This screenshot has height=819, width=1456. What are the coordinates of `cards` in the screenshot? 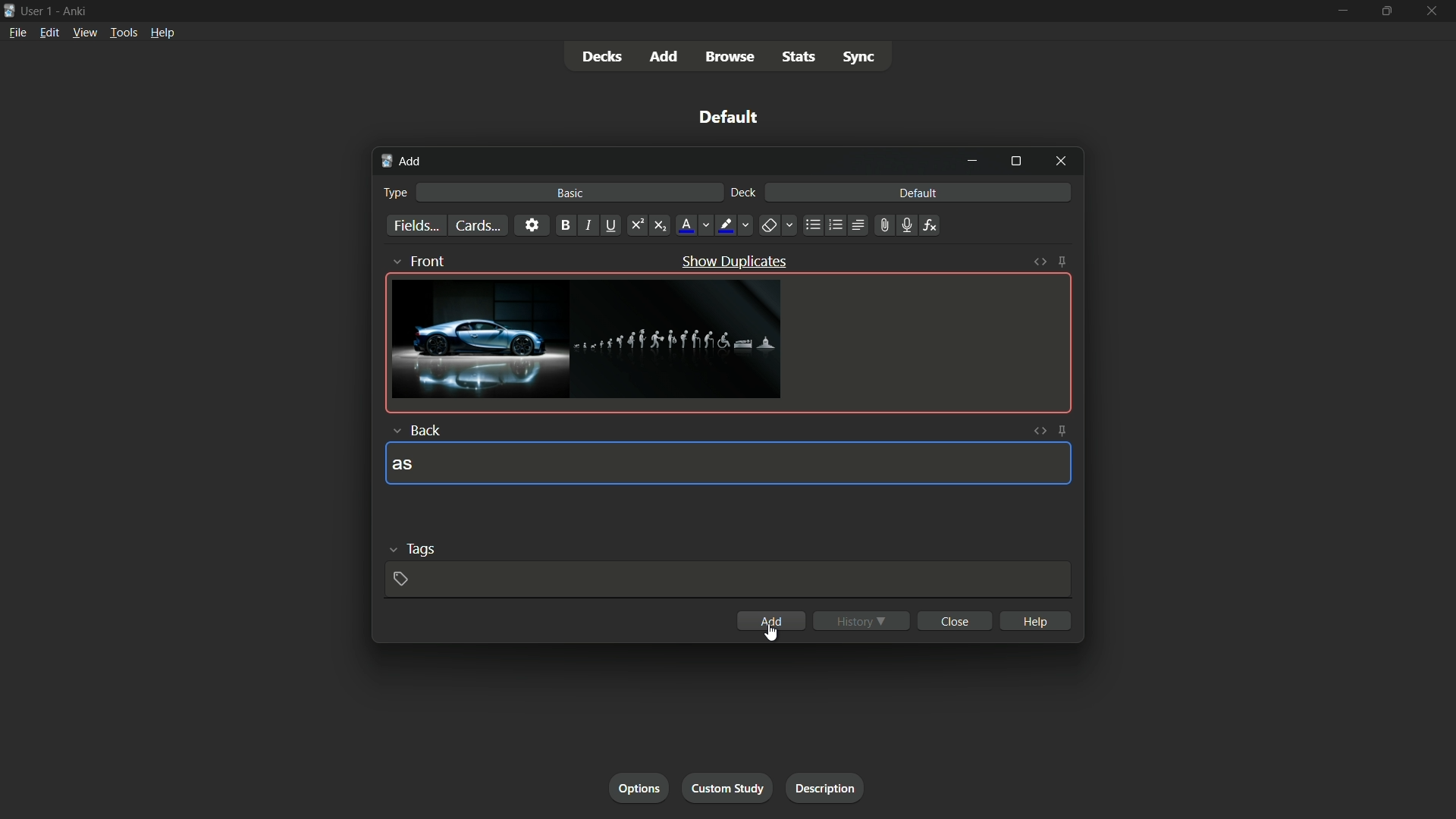 It's located at (477, 225).